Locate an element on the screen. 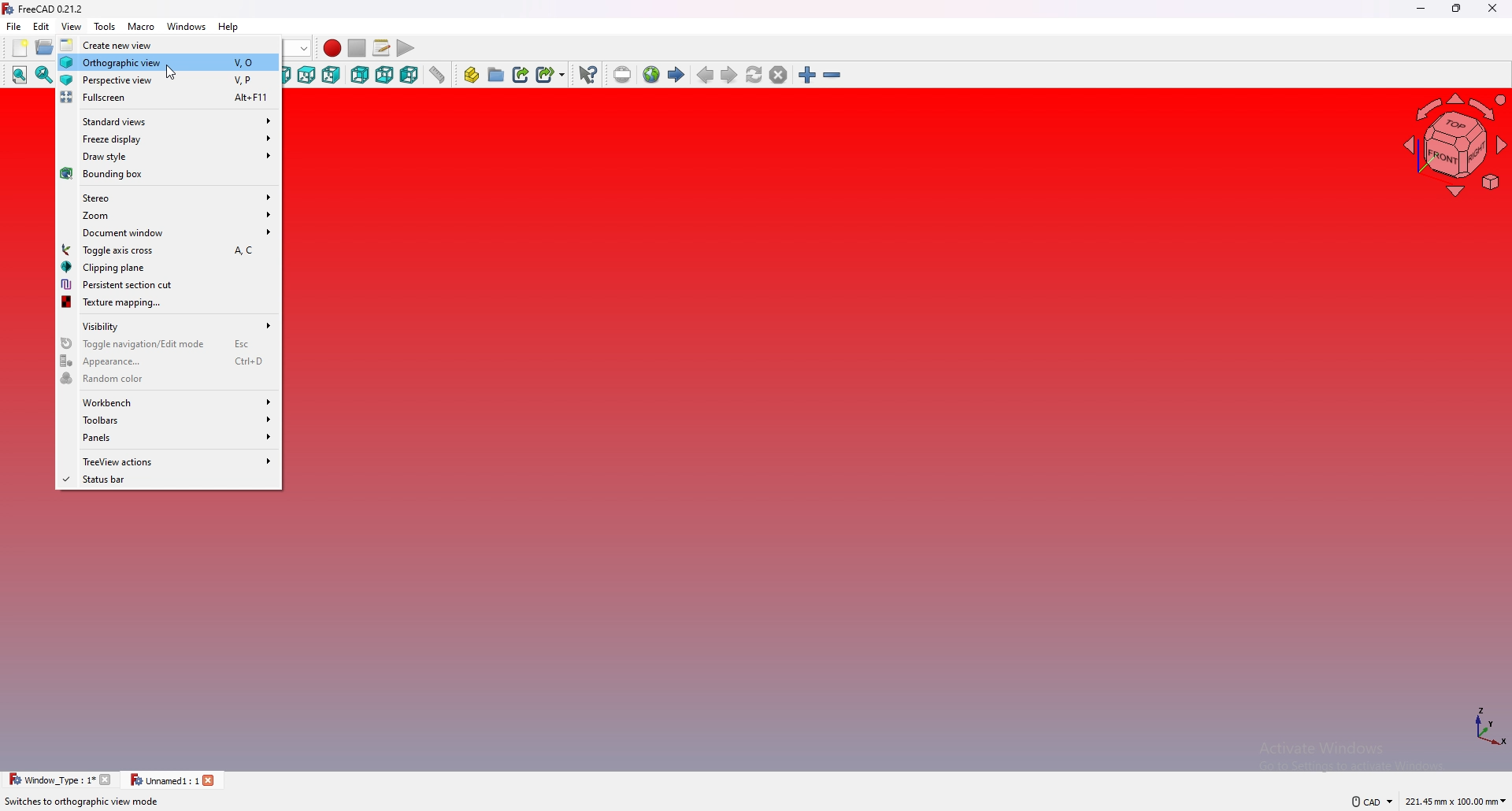 The width and height of the screenshot is (1512, 811). macro is located at coordinates (142, 26).